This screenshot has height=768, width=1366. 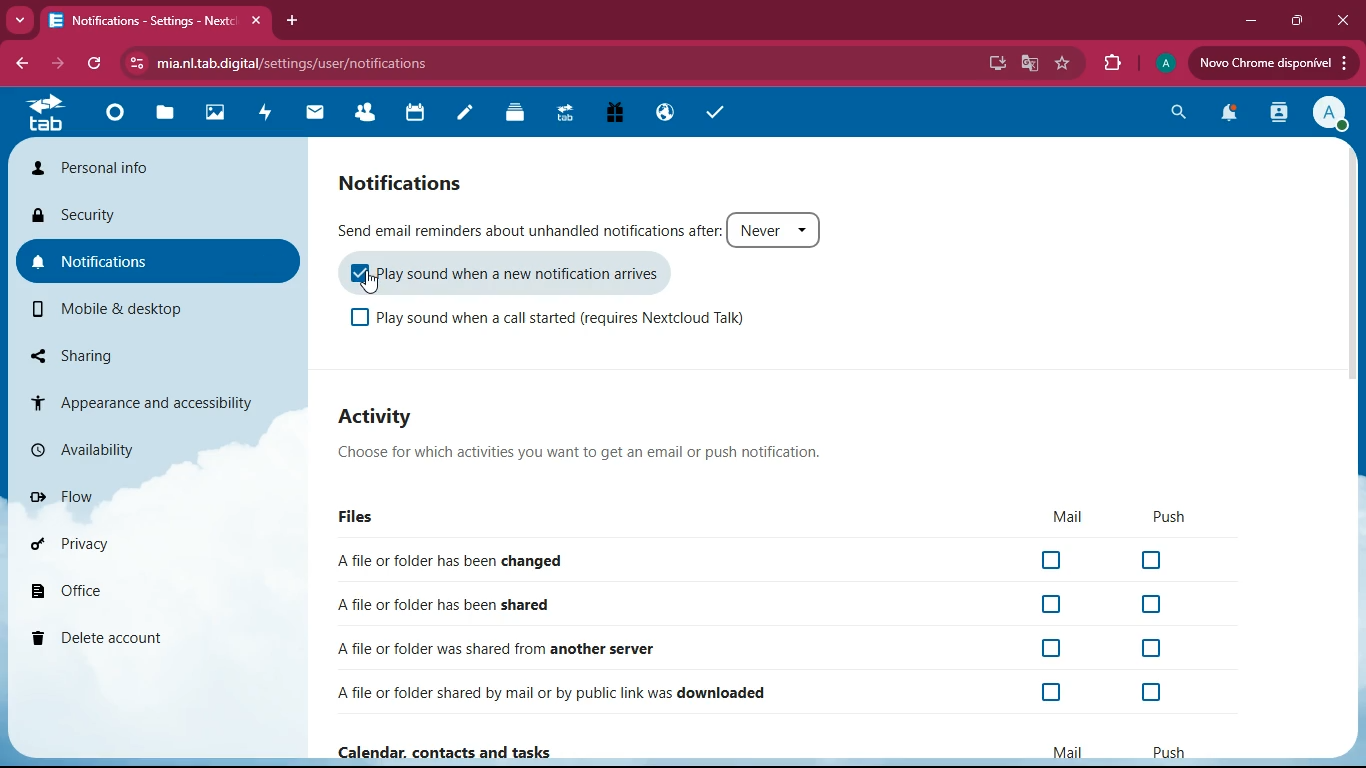 I want to click on layers, so click(x=521, y=114).